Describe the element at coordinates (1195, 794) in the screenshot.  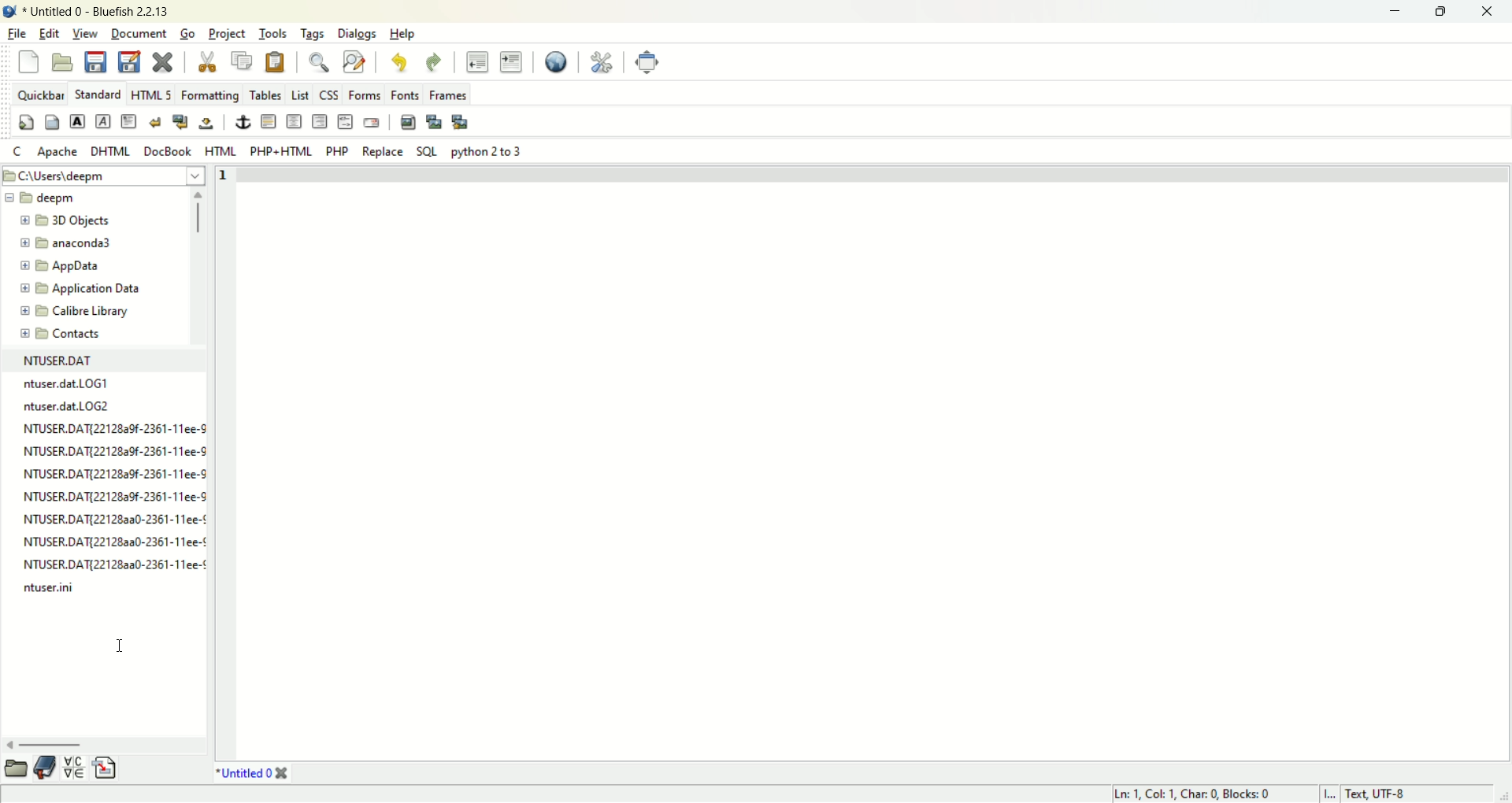
I see `cursor position` at that location.